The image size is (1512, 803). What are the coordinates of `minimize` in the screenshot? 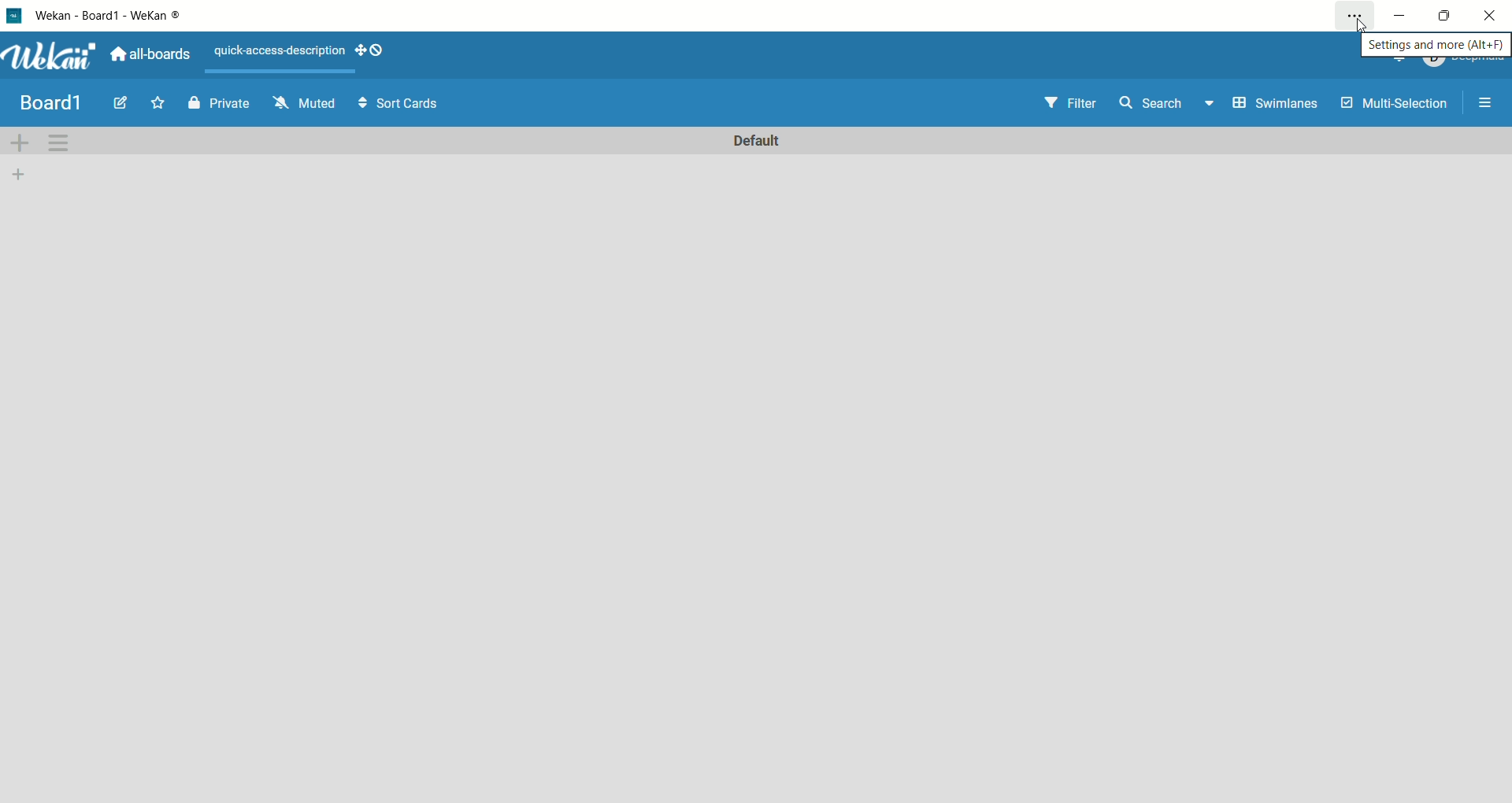 It's located at (1402, 15).